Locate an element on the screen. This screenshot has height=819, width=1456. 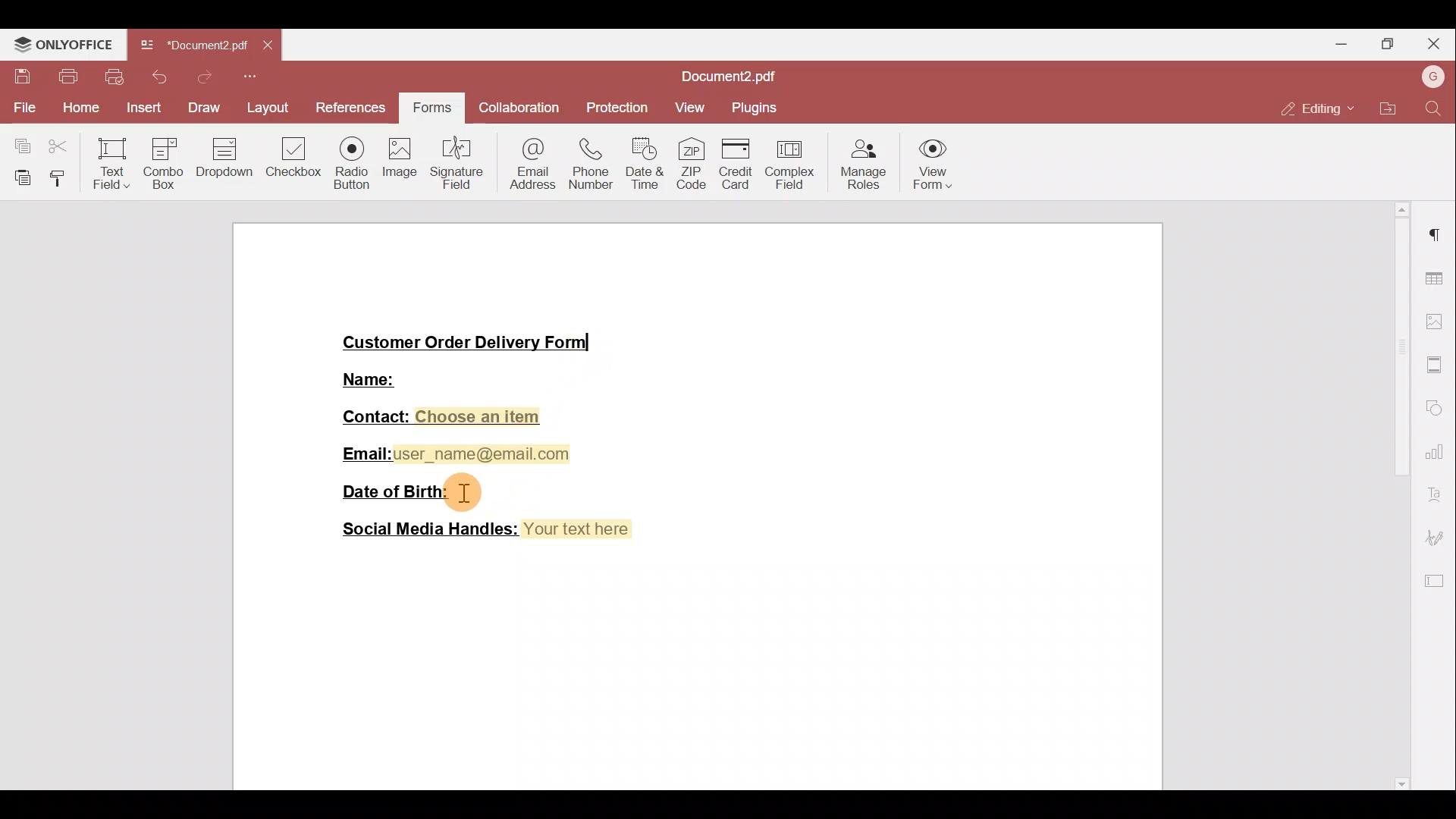
Draw is located at coordinates (202, 107).